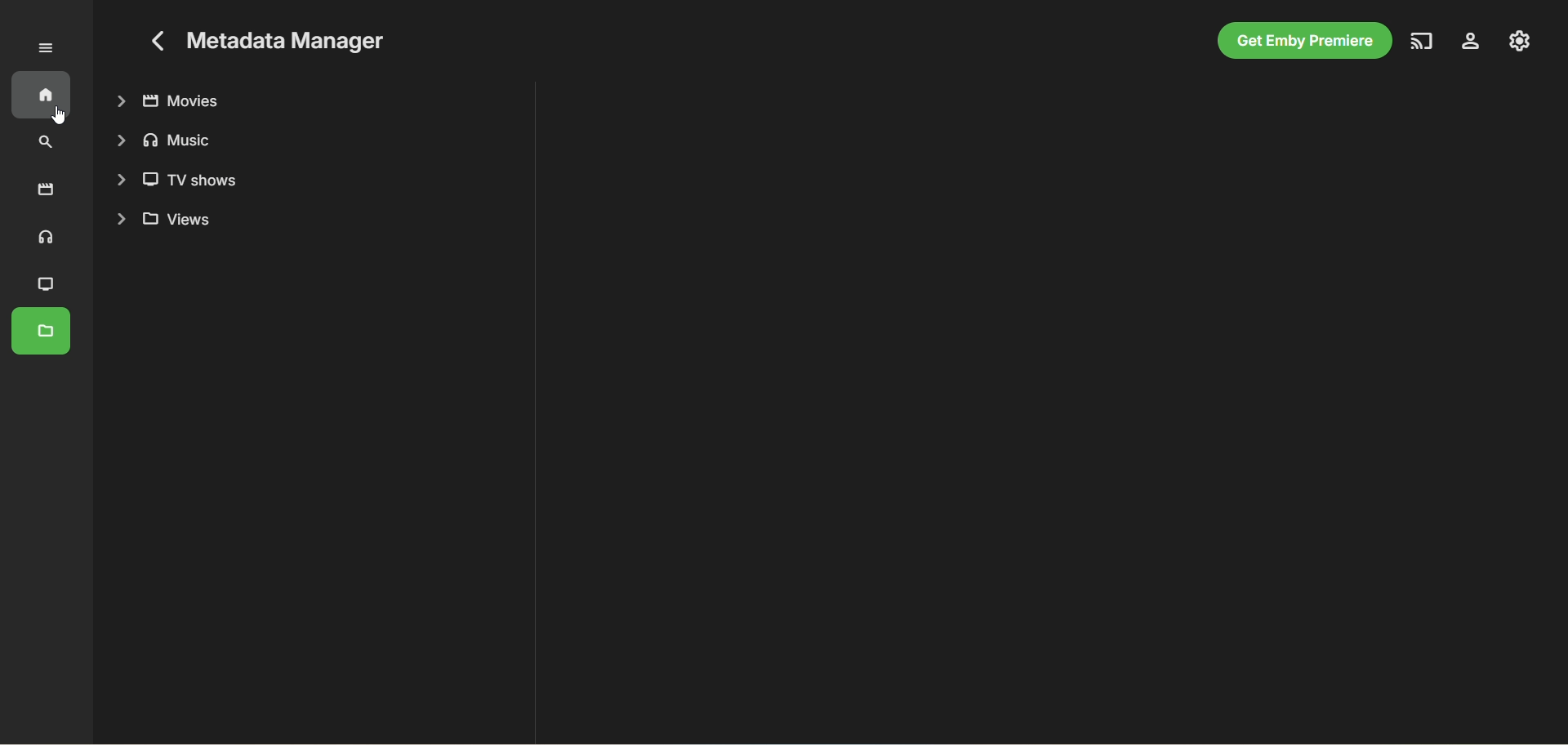  I want to click on TV shows, so click(174, 179).